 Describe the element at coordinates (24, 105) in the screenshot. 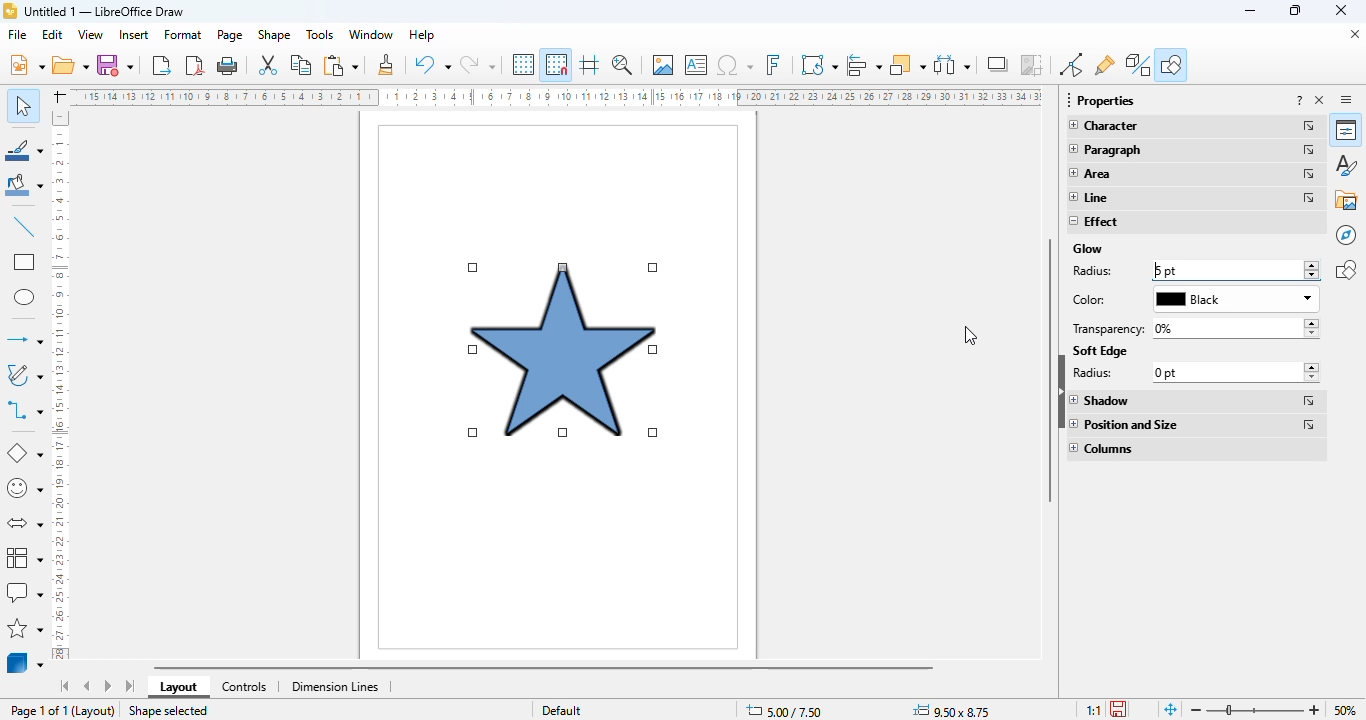

I see `select` at that location.